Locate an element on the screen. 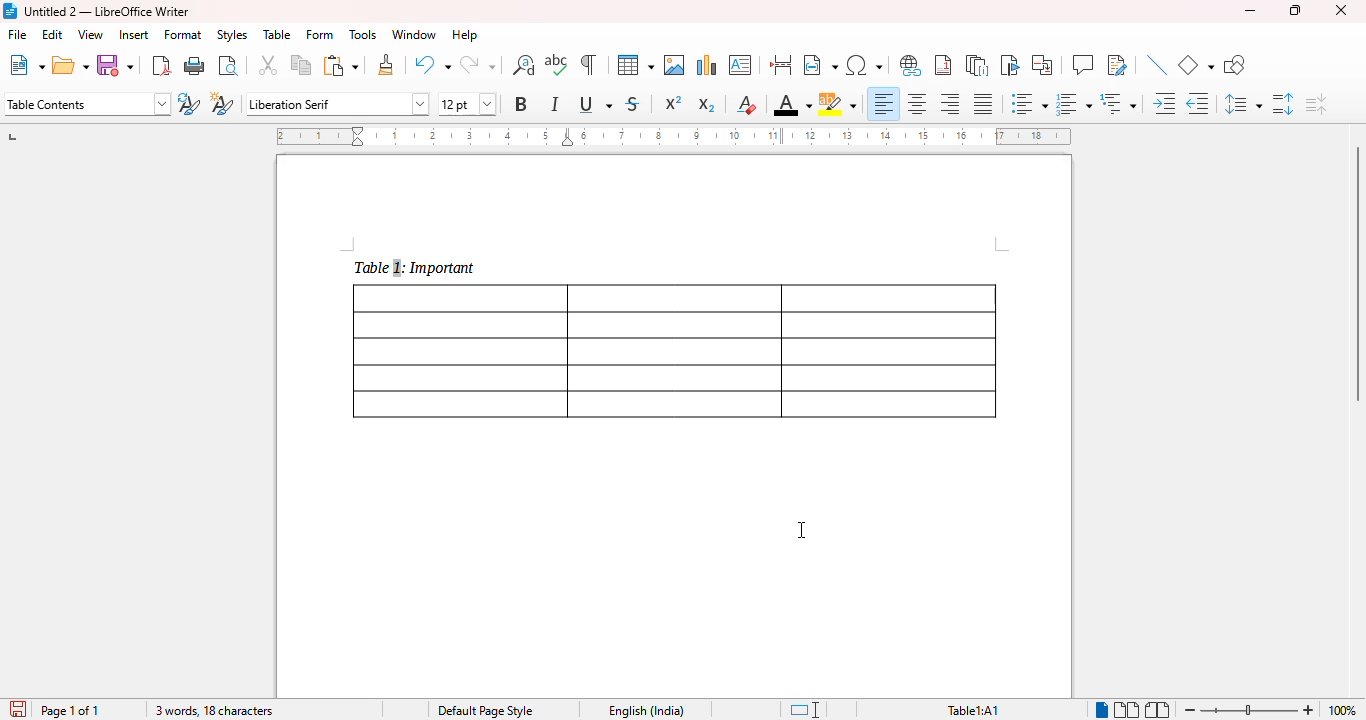 The image size is (1366, 720). single-page view is located at coordinates (1103, 710).